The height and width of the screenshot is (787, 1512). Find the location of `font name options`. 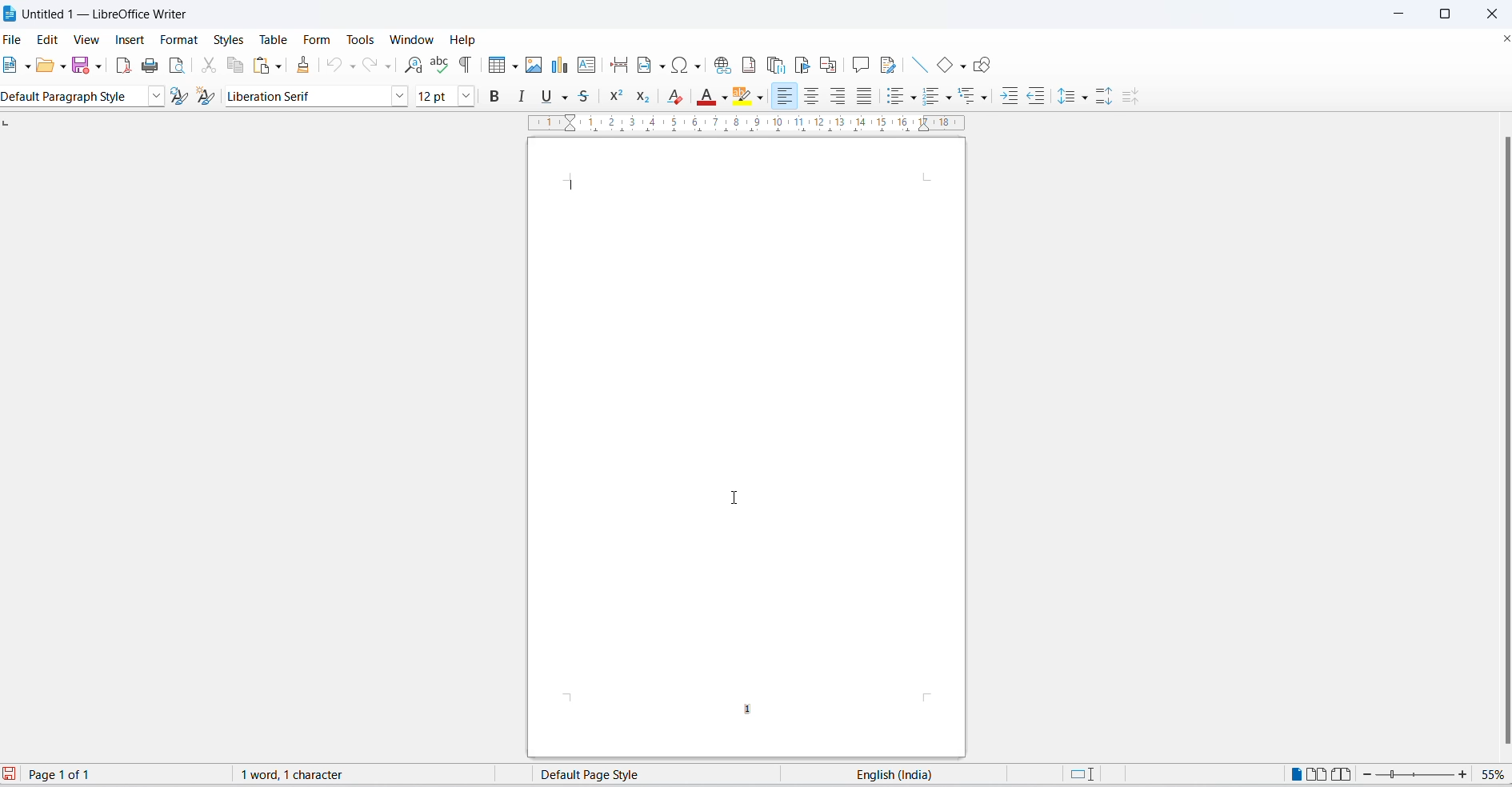

font name options is located at coordinates (398, 95).